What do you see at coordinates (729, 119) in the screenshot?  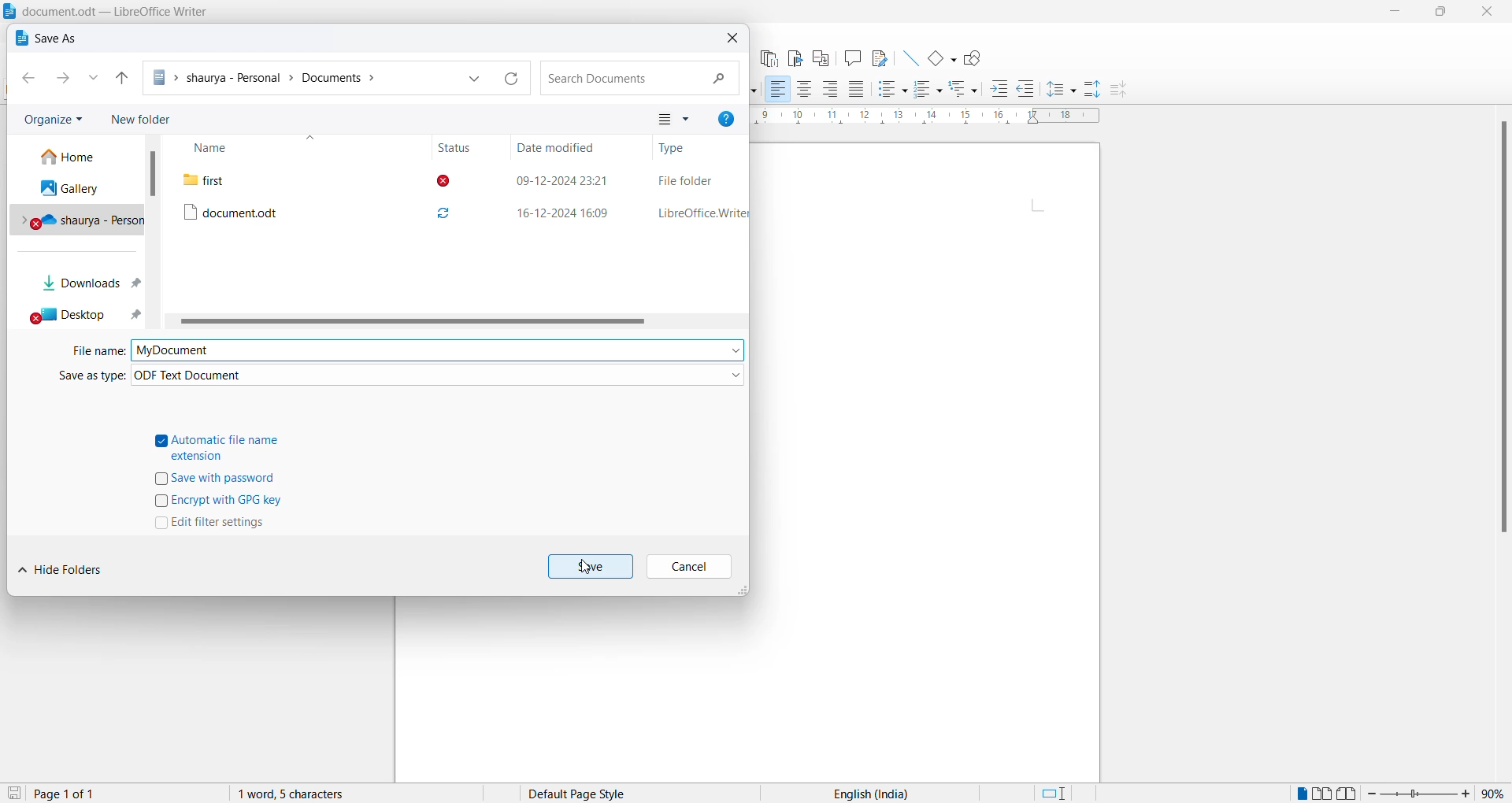 I see `help` at bounding box center [729, 119].